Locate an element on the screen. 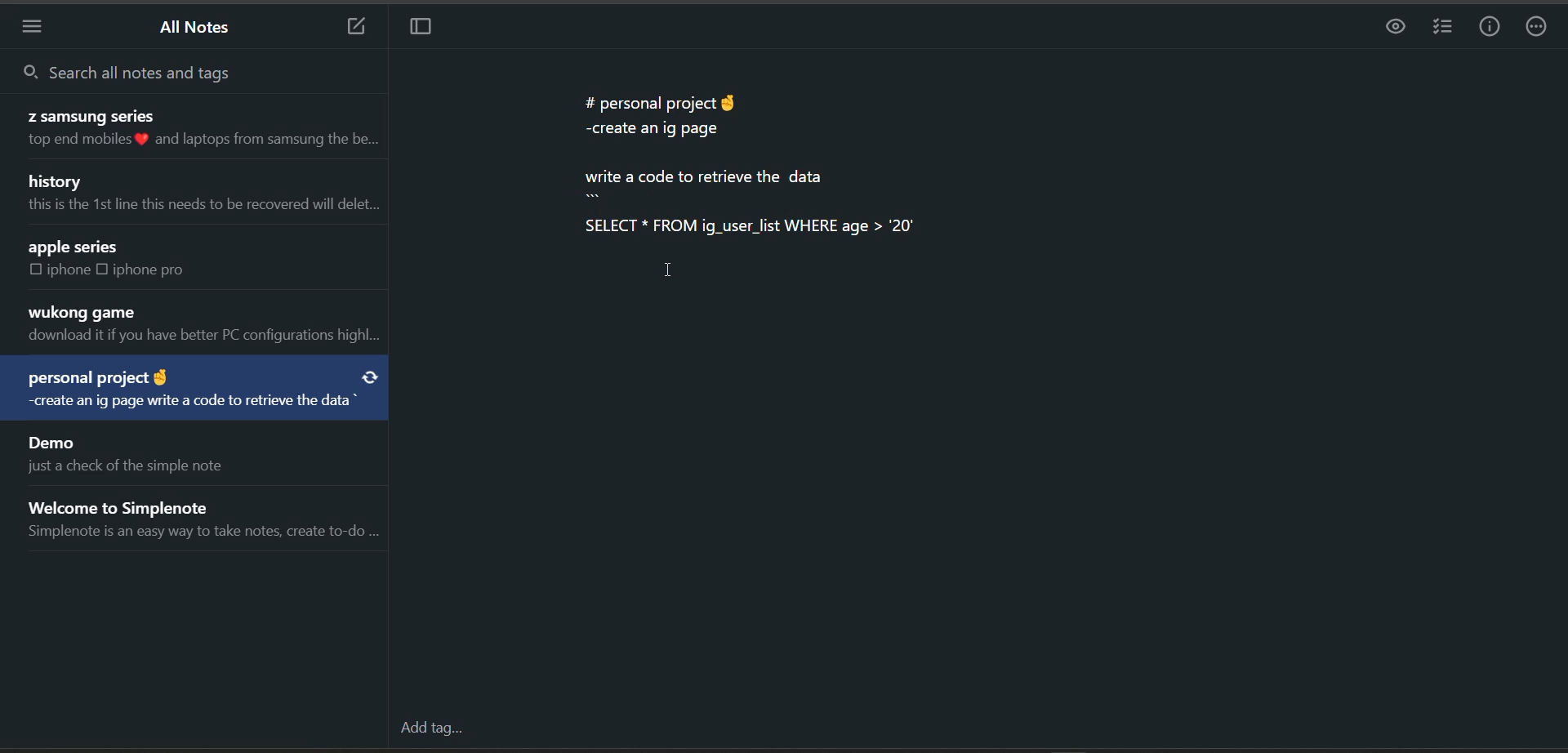  insert checklist is located at coordinates (1441, 28).